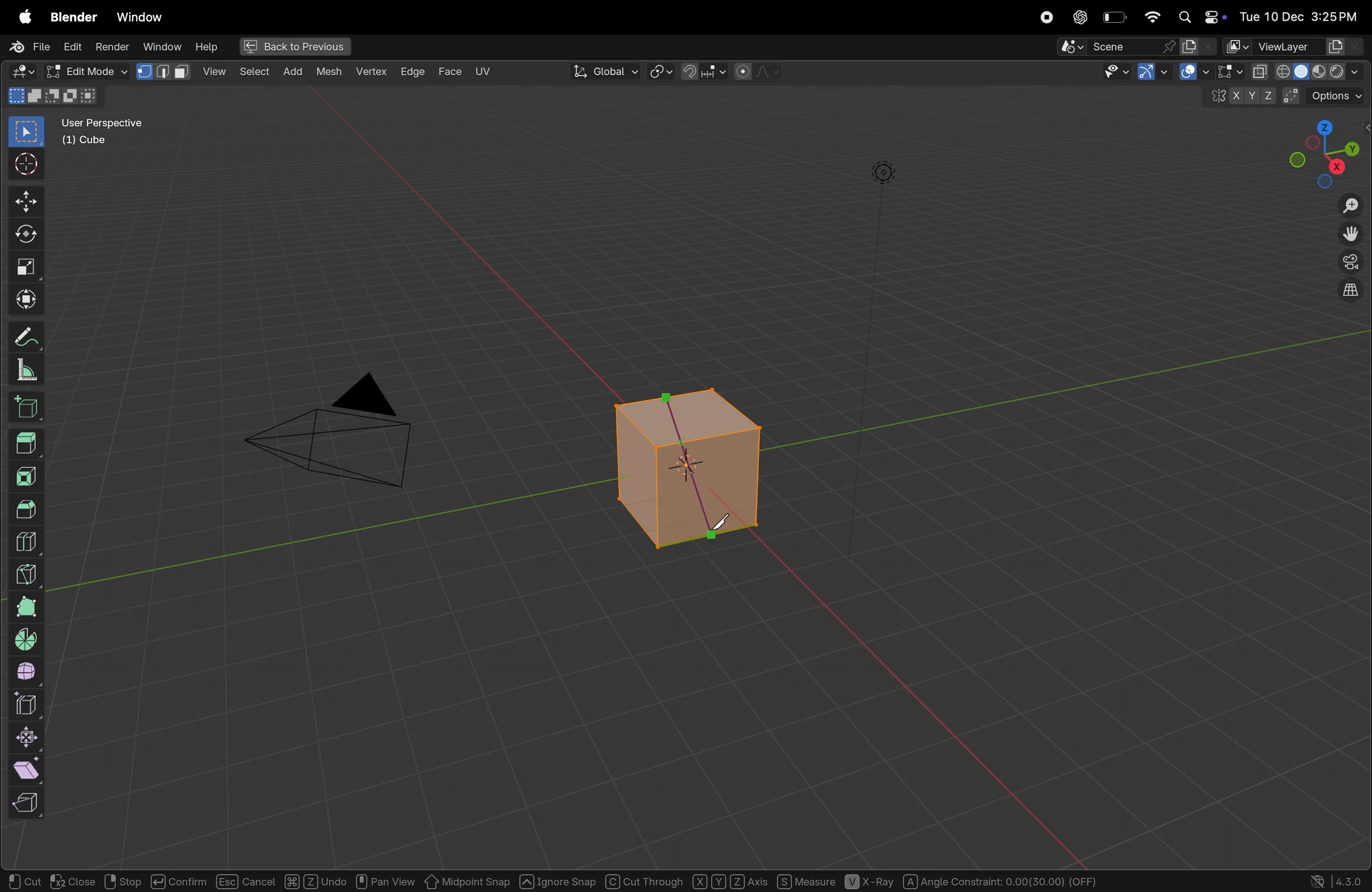  What do you see at coordinates (451, 71) in the screenshot?
I see `Face` at bounding box center [451, 71].